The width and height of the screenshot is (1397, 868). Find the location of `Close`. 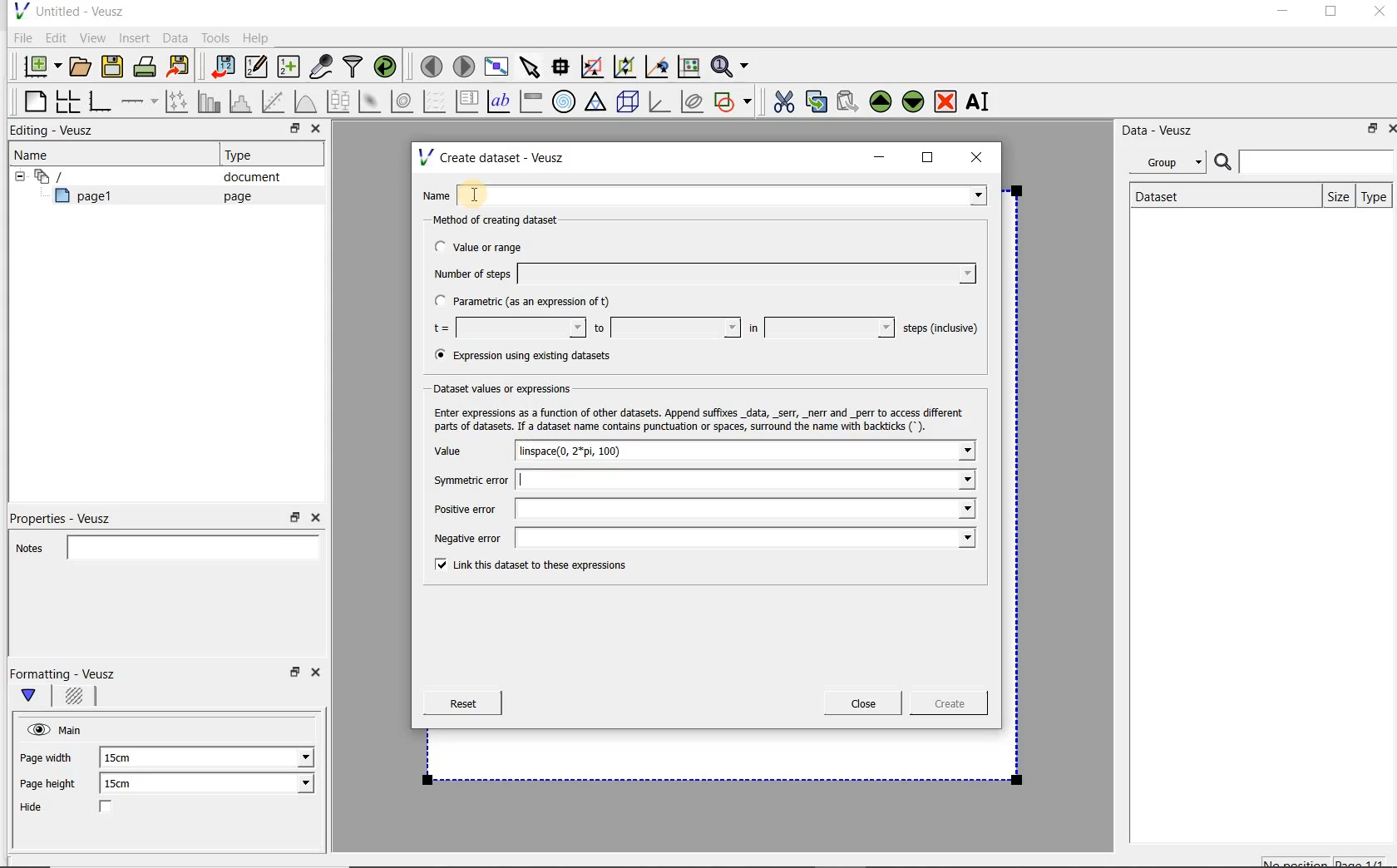

Close is located at coordinates (1389, 127).